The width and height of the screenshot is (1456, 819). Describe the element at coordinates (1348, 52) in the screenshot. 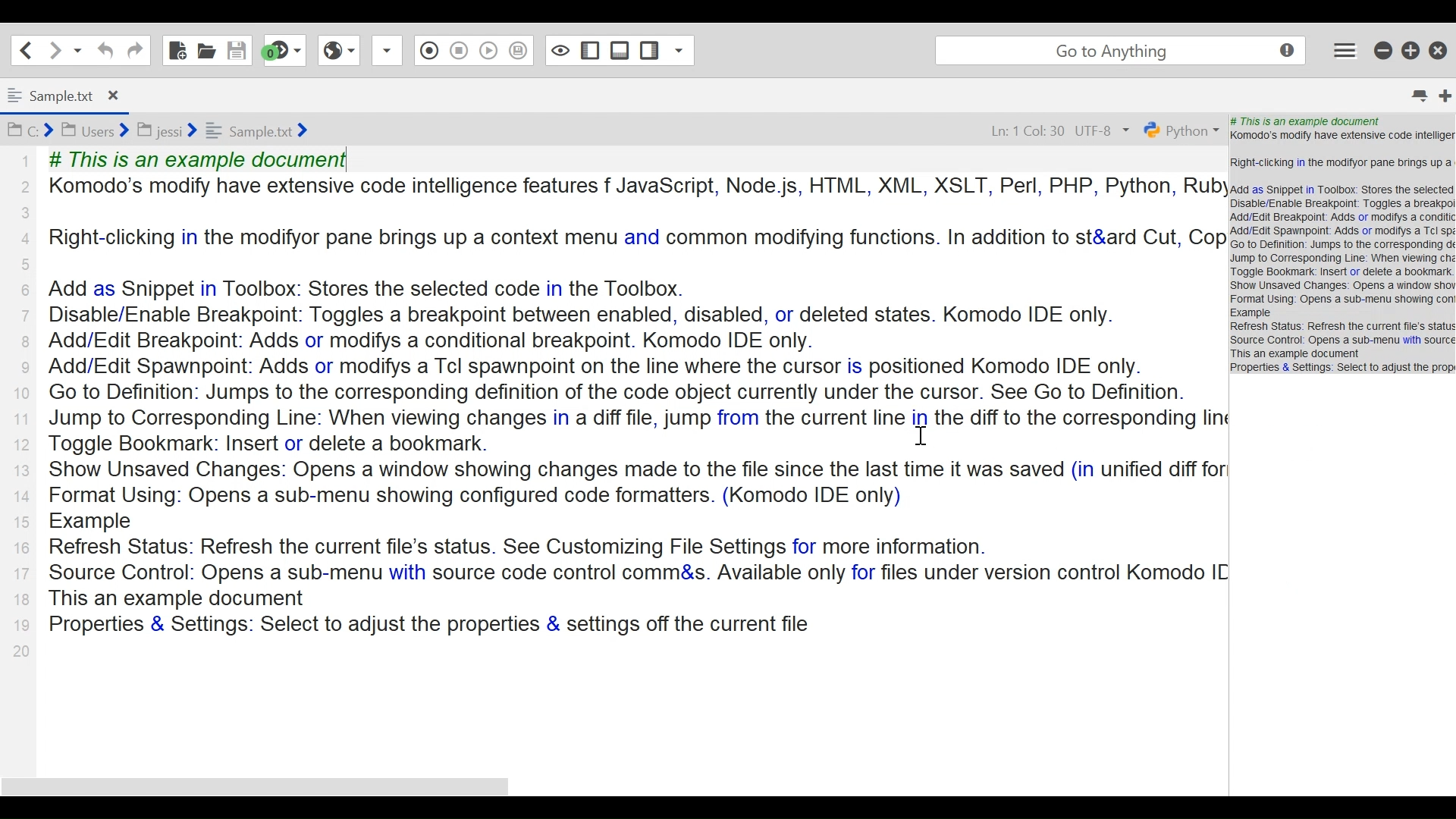

I see `Cursor` at that location.